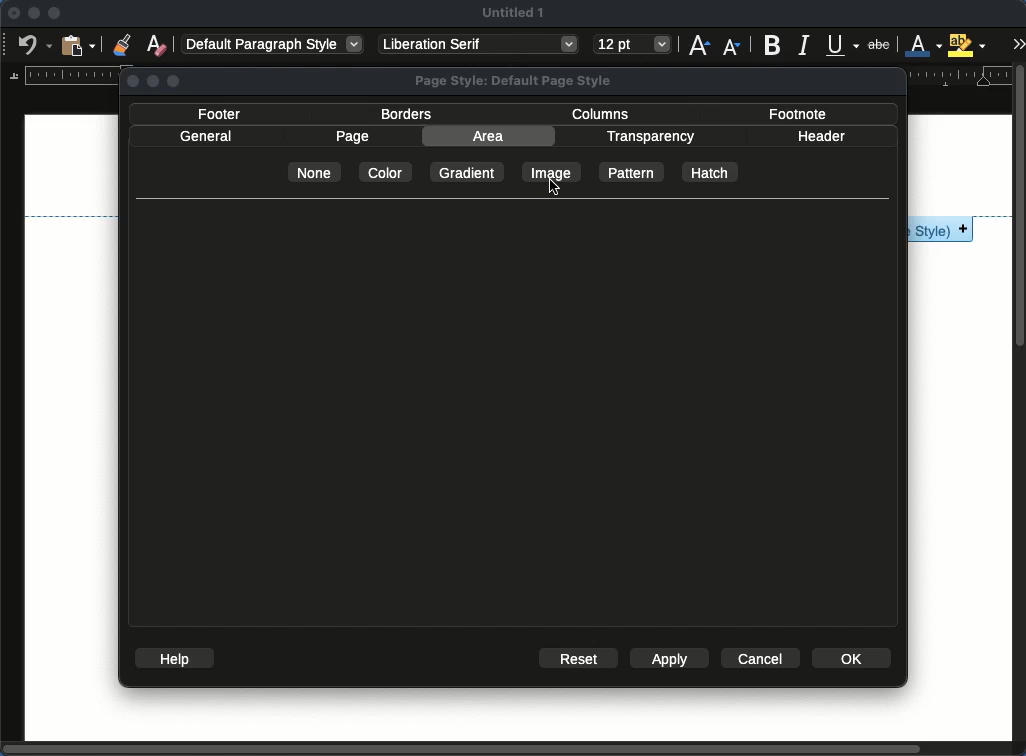 This screenshot has height=756, width=1026. Describe the element at coordinates (206, 137) in the screenshot. I see `general` at that location.